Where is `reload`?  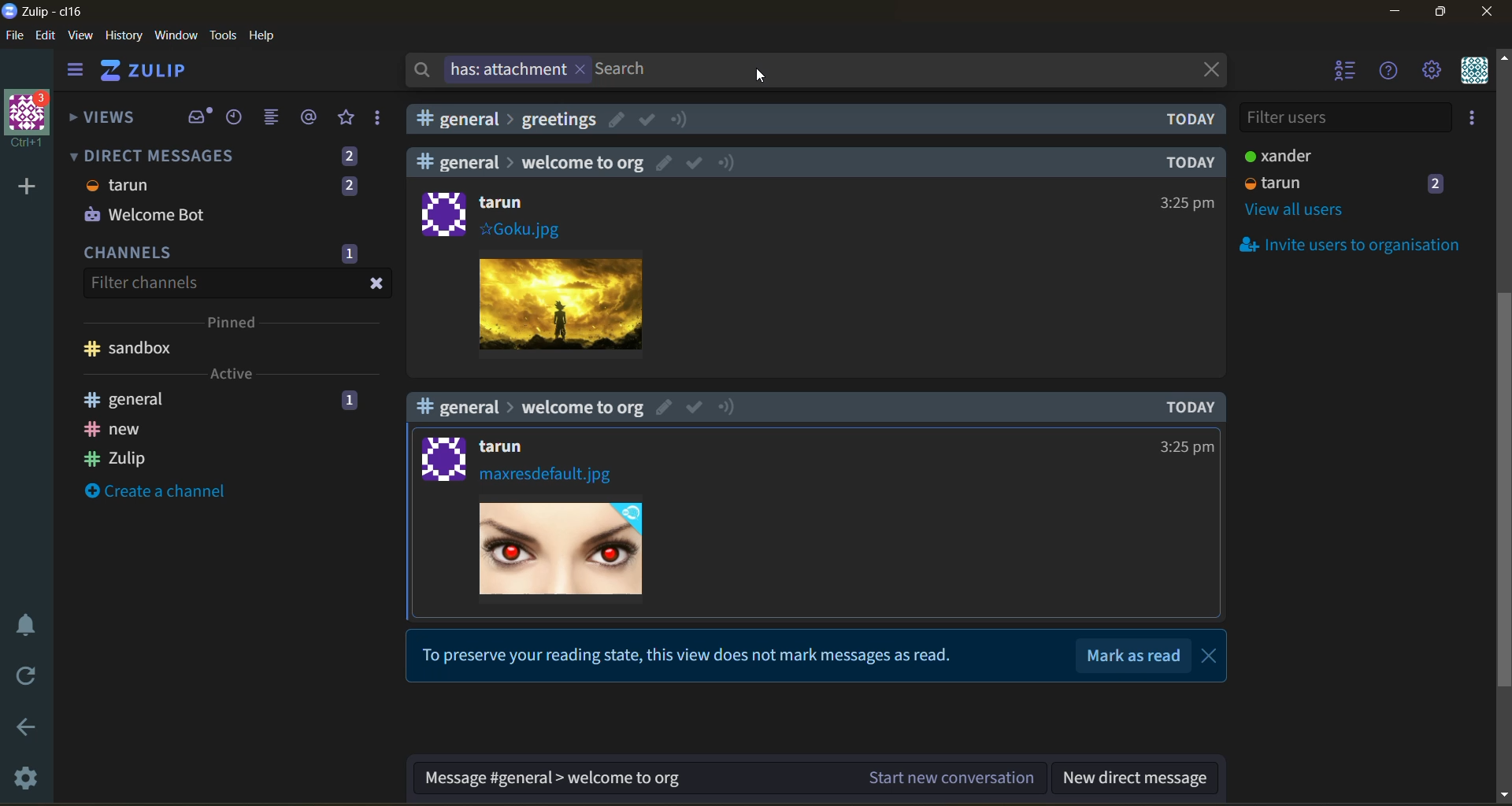 reload is located at coordinates (28, 673).